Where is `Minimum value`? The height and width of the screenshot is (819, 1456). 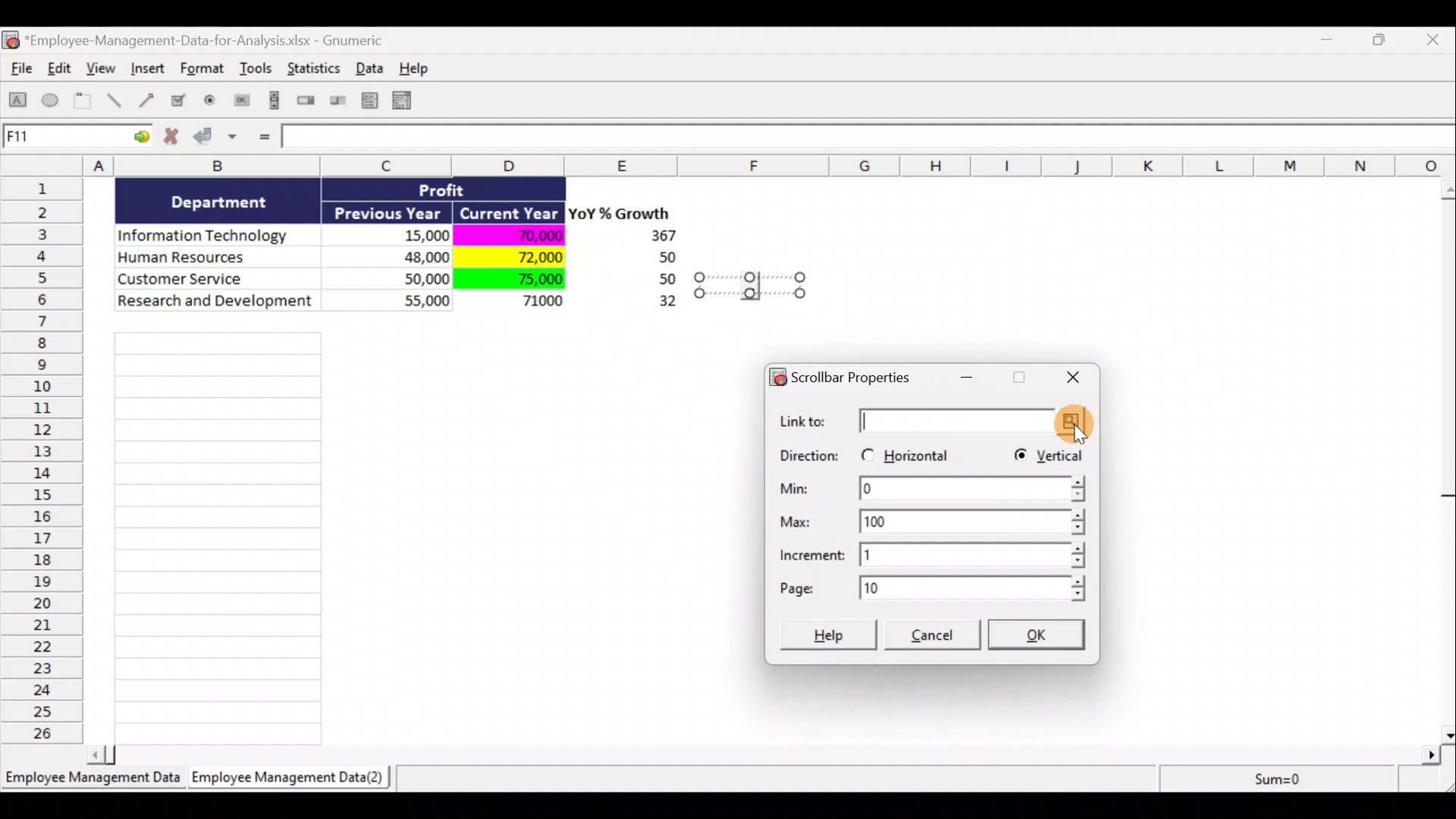
Minimum value is located at coordinates (930, 491).